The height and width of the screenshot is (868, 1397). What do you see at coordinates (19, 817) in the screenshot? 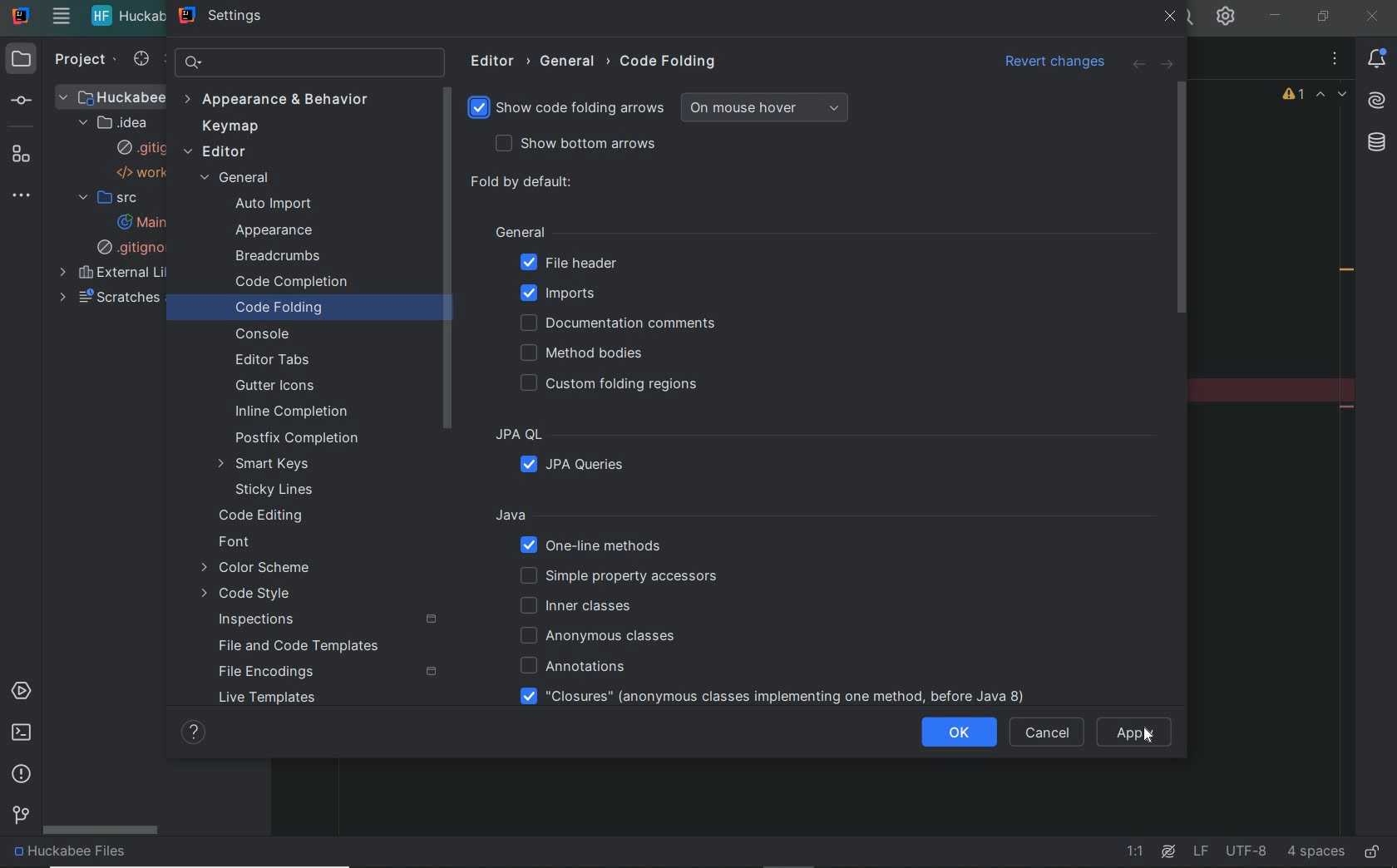
I see `Git` at bounding box center [19, 817].